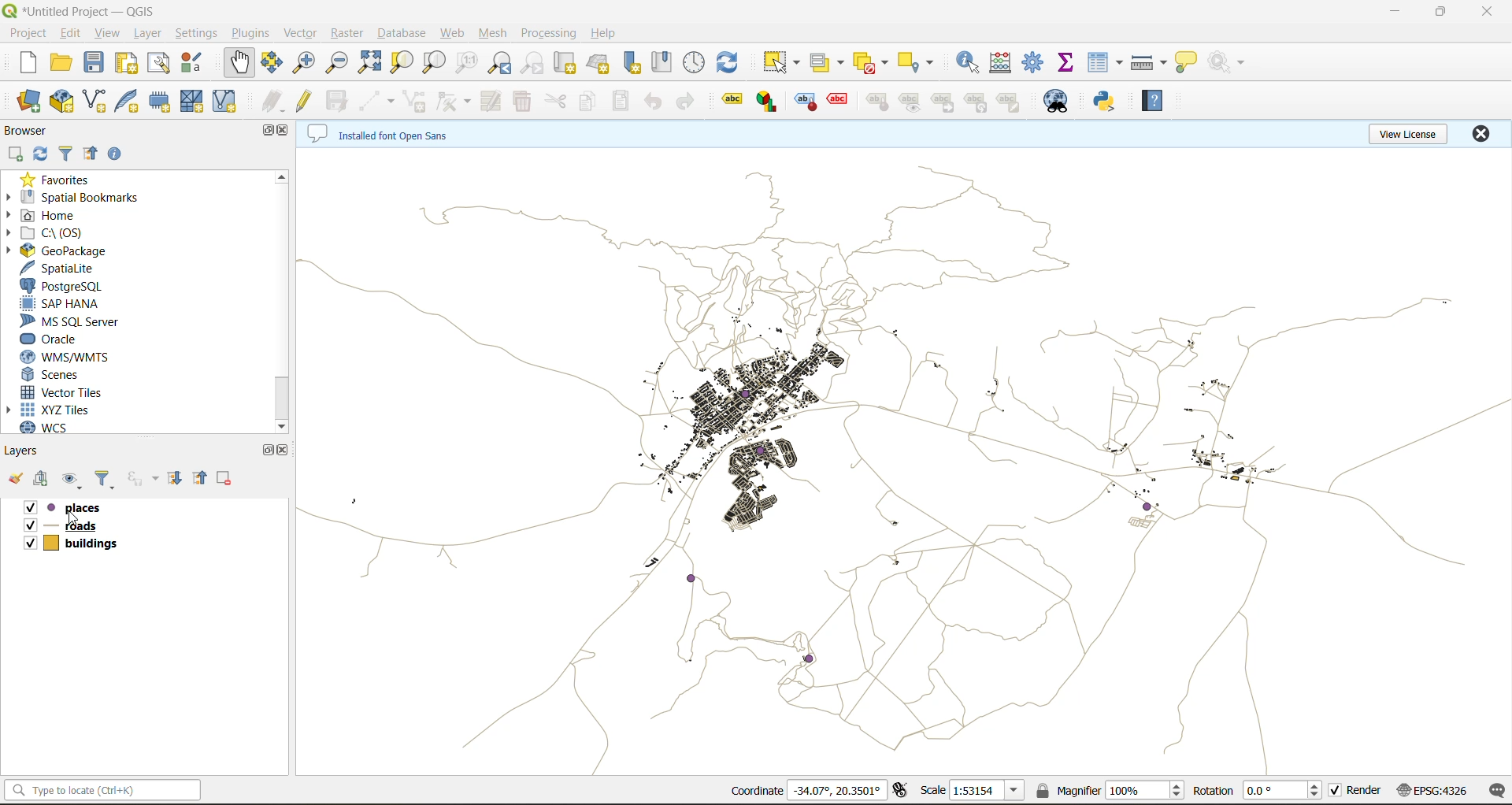 The height and width of the screenshot is (805, 1512). Describe the element at coordinates (287, 132) in the screenshot. I see `close` at that location.